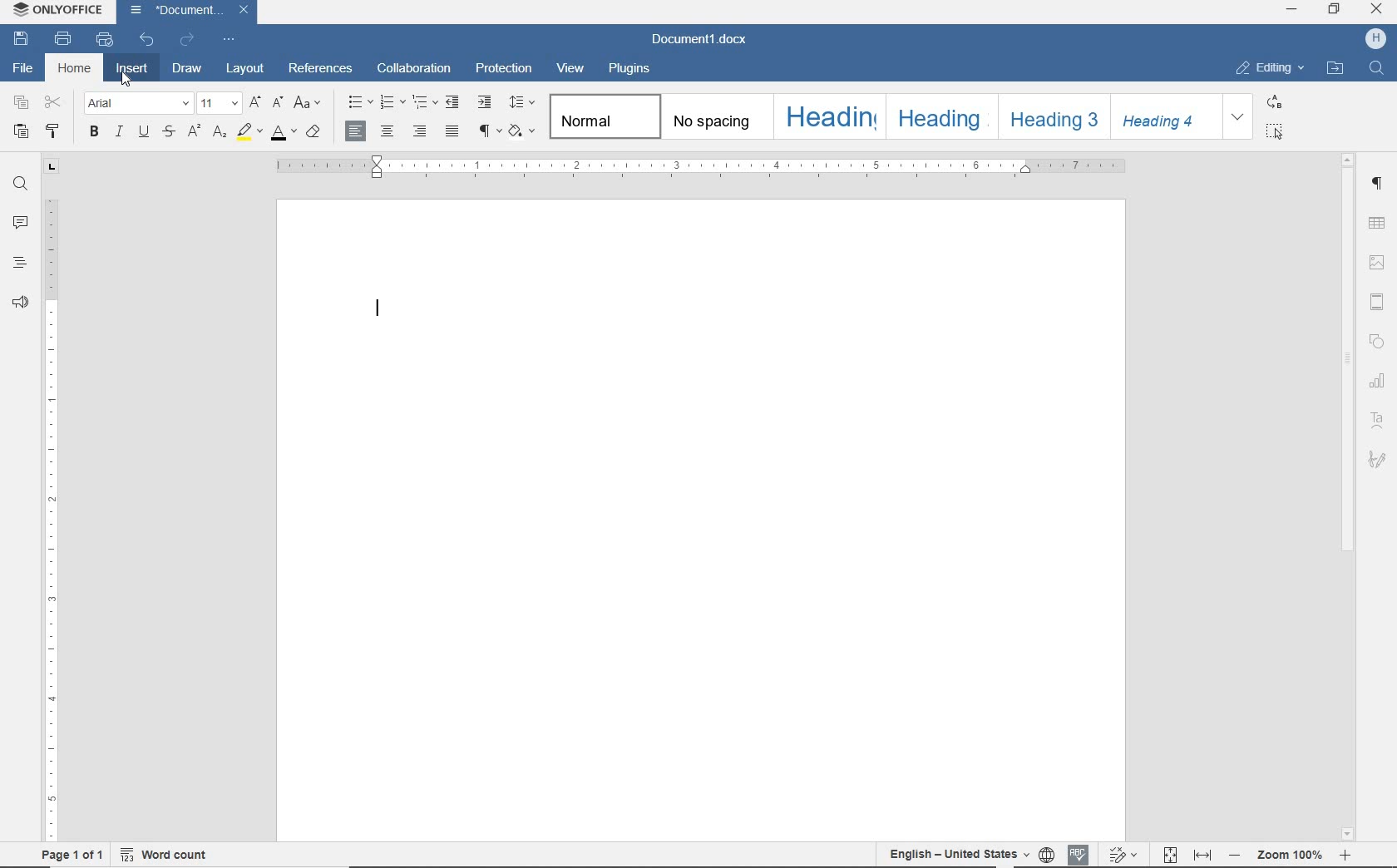 The height and width of the screenshot is (868, 1397). I want to click on redo, so click(186, 40).